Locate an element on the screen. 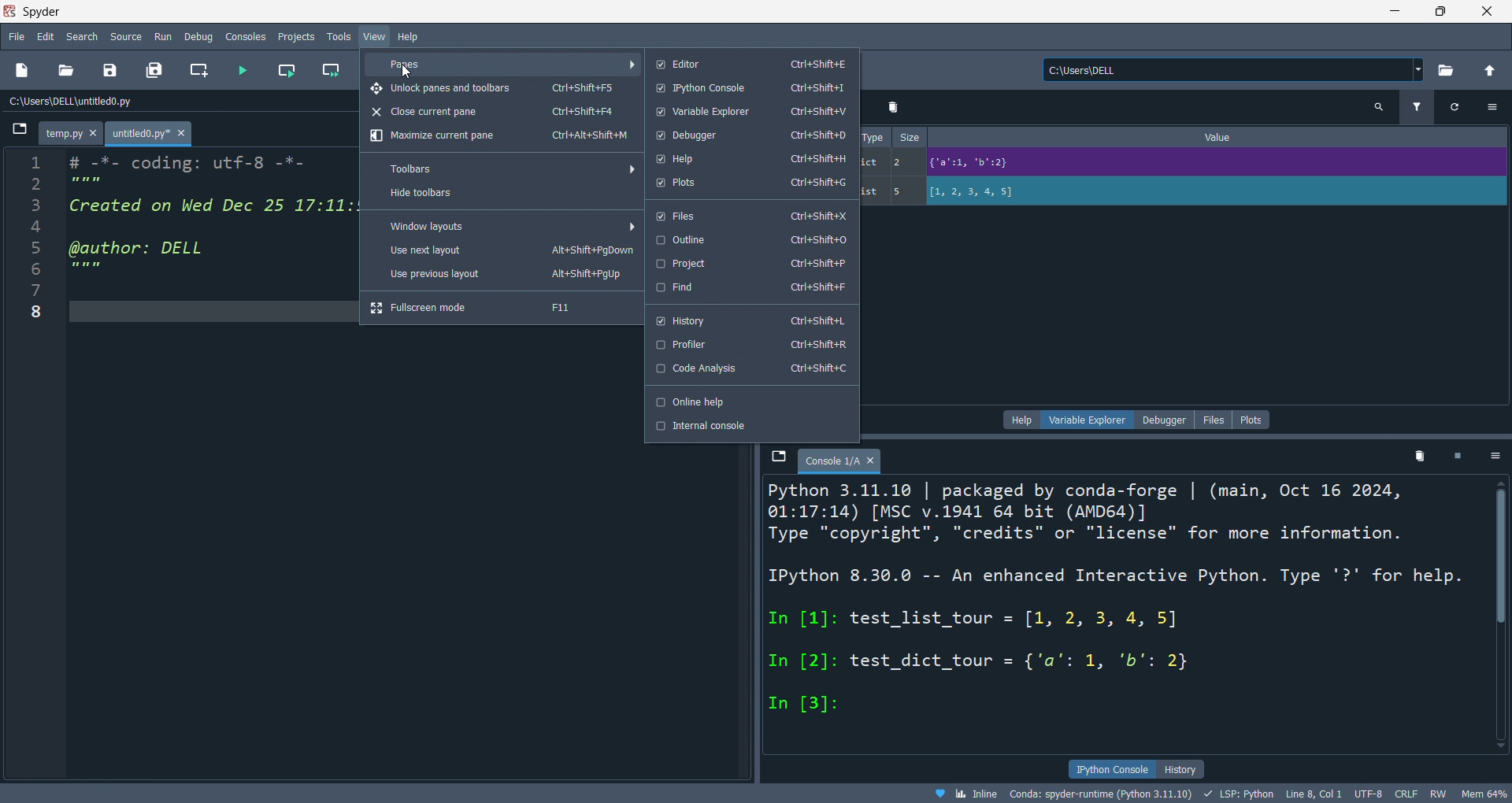 The image size is (1512, 803). value is located at coordinates (1223, 137).